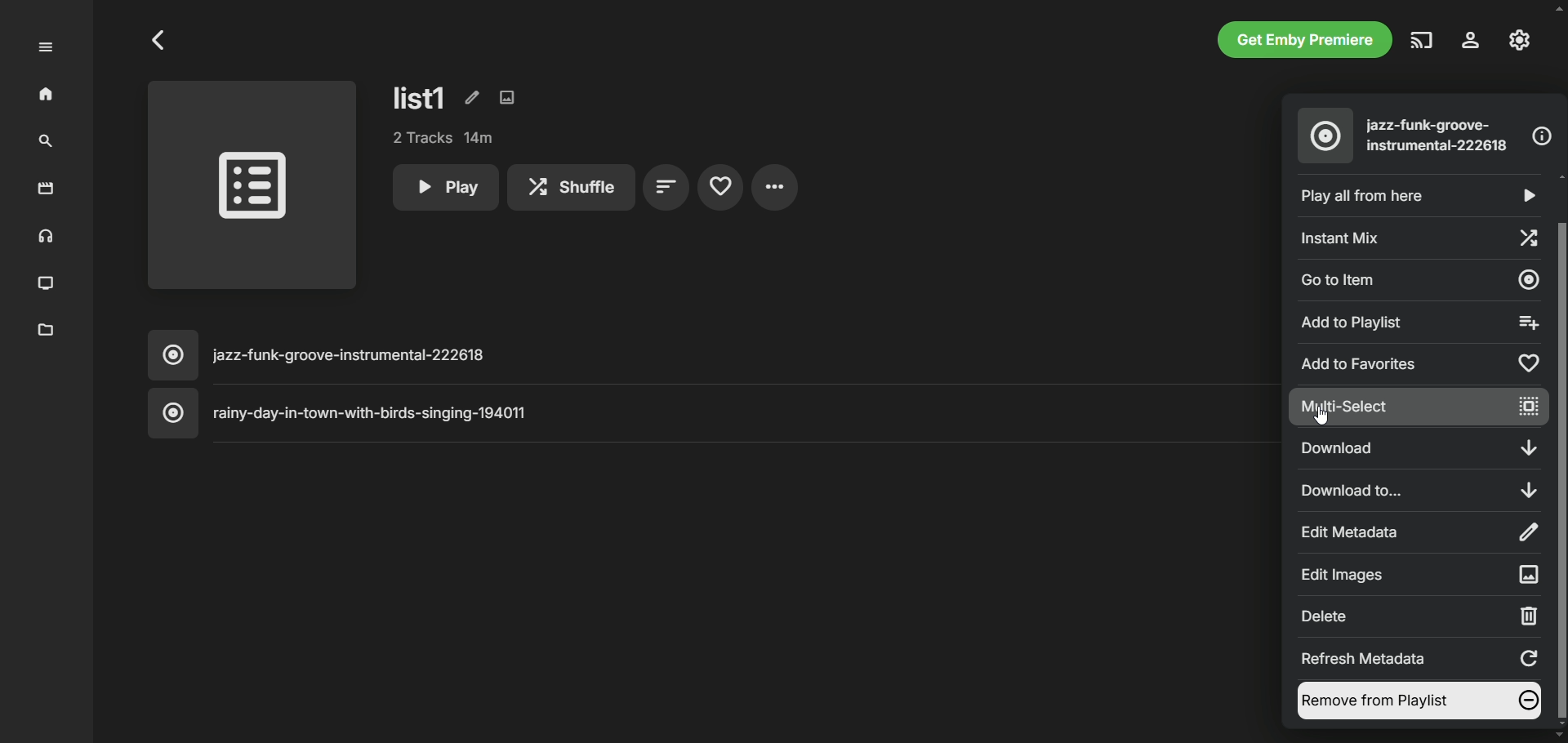 Image resolution: width=1568 pixels, height=743 pixels. I want to click on settings, so click(775, 187).